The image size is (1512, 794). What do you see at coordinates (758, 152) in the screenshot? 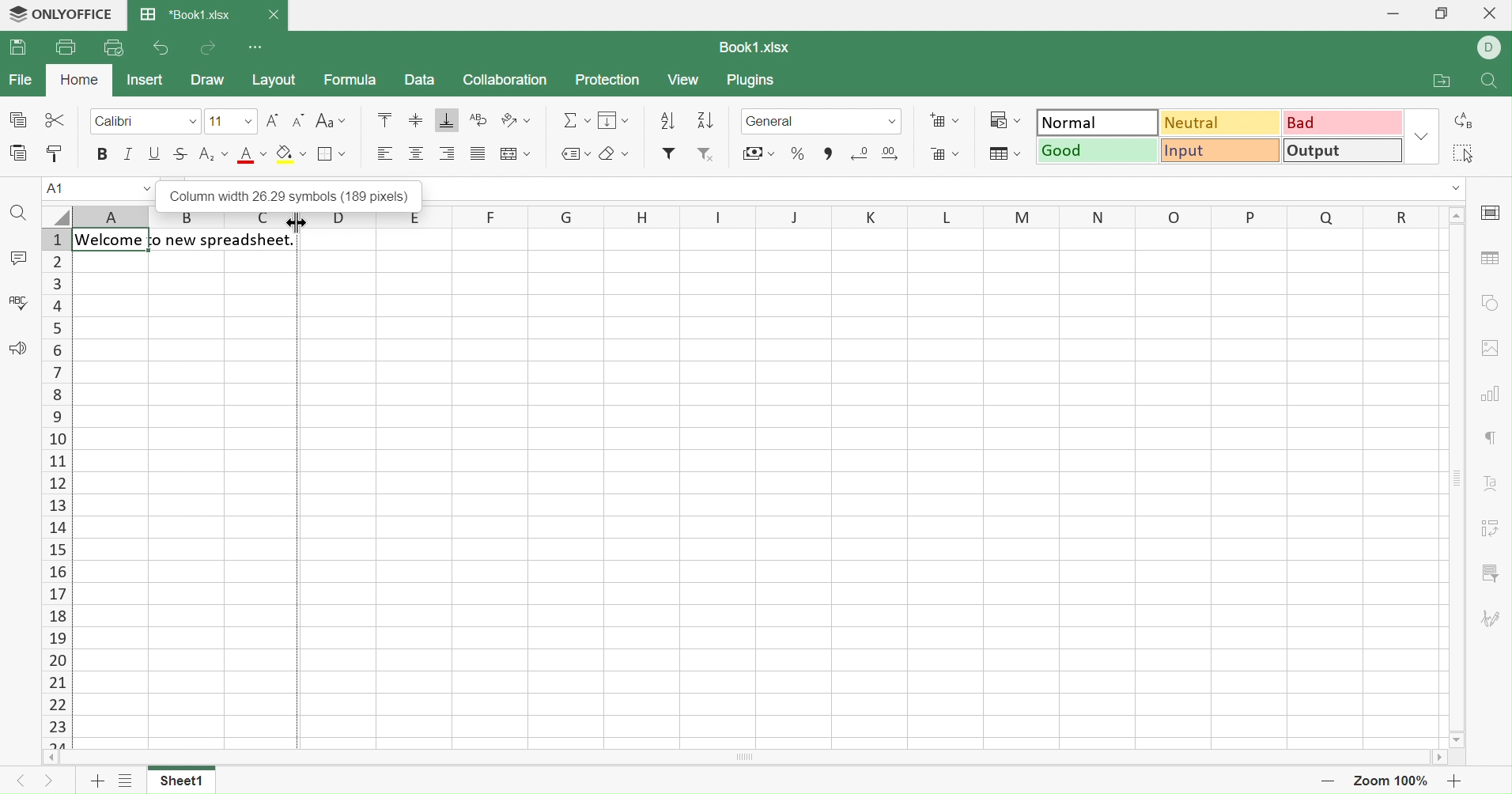
I see `Accounting style` at bounding box center [758, 152].